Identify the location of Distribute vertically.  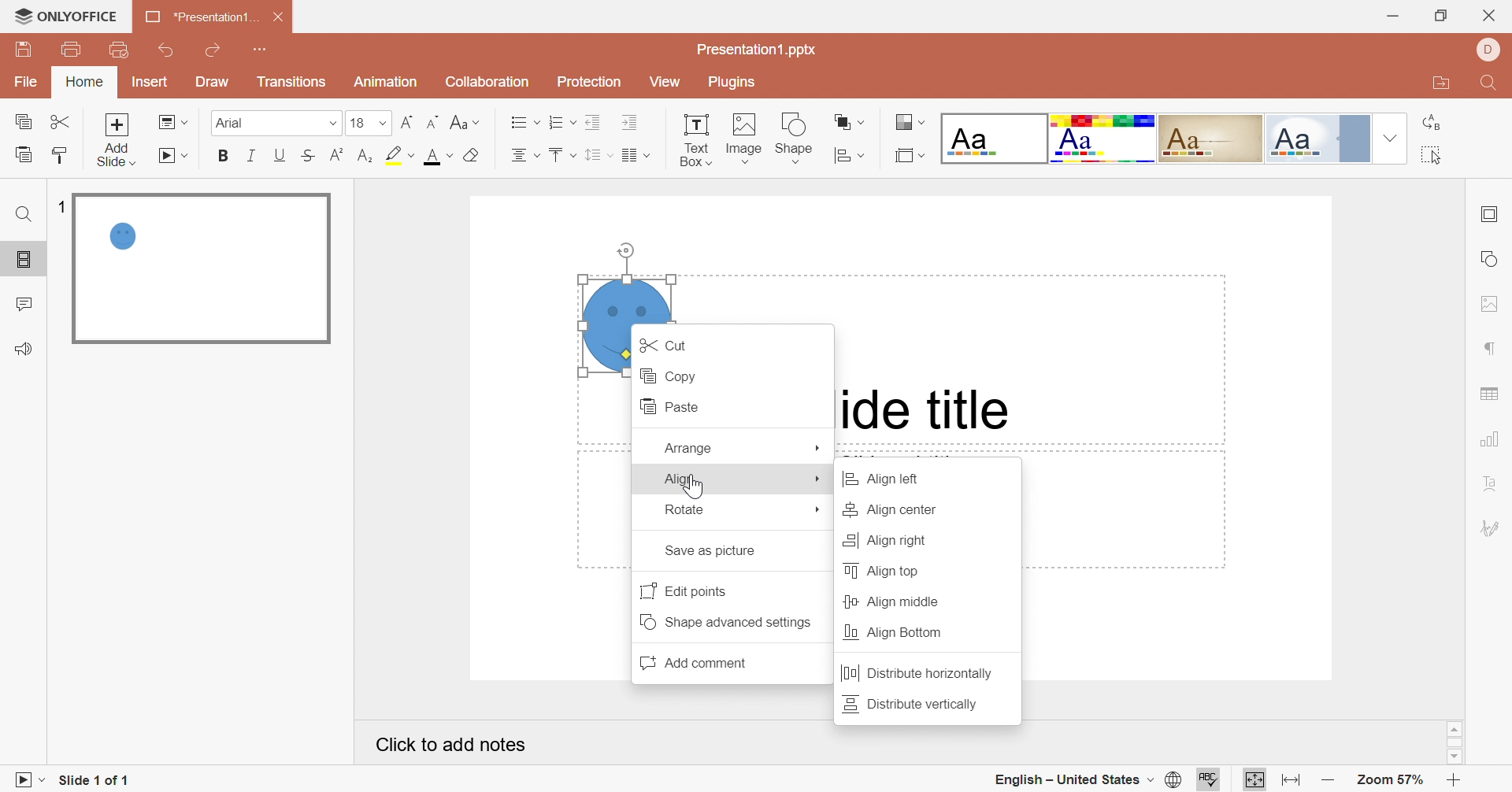
(913, 702).